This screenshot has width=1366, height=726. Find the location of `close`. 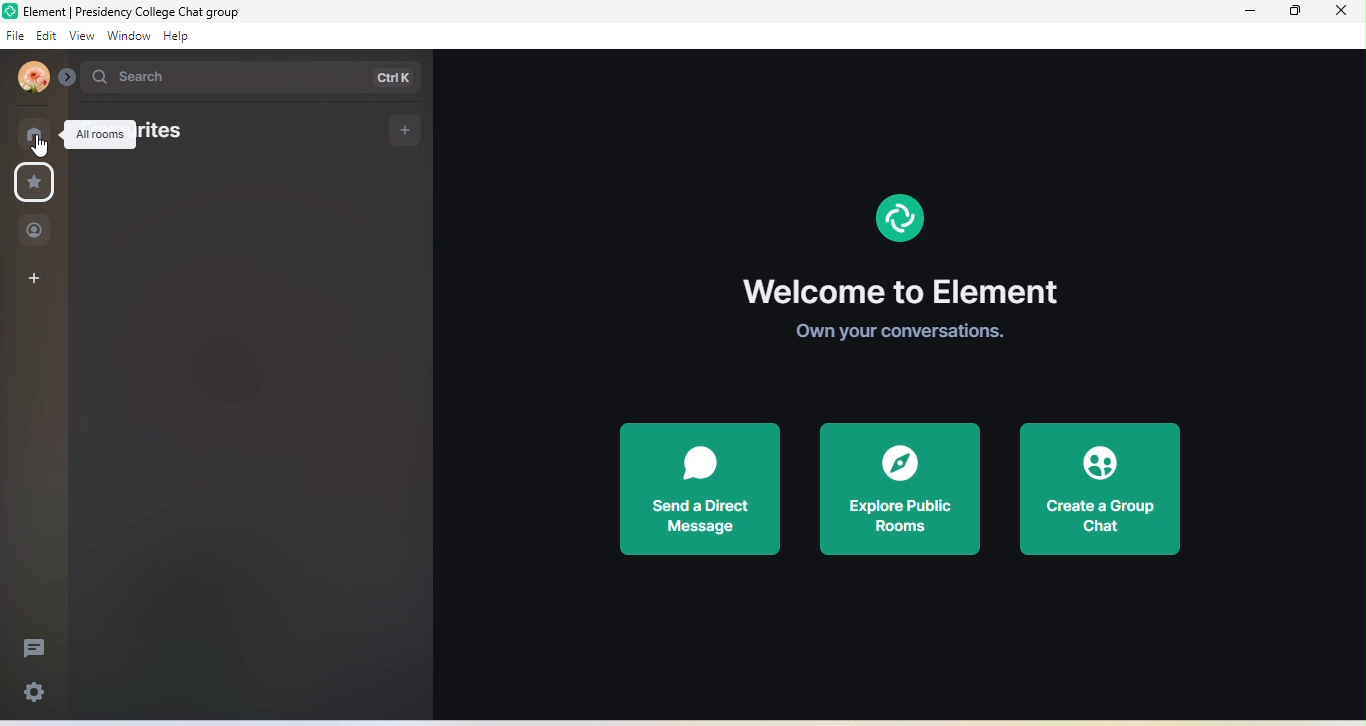

close is located at coordinates (1342, 14).